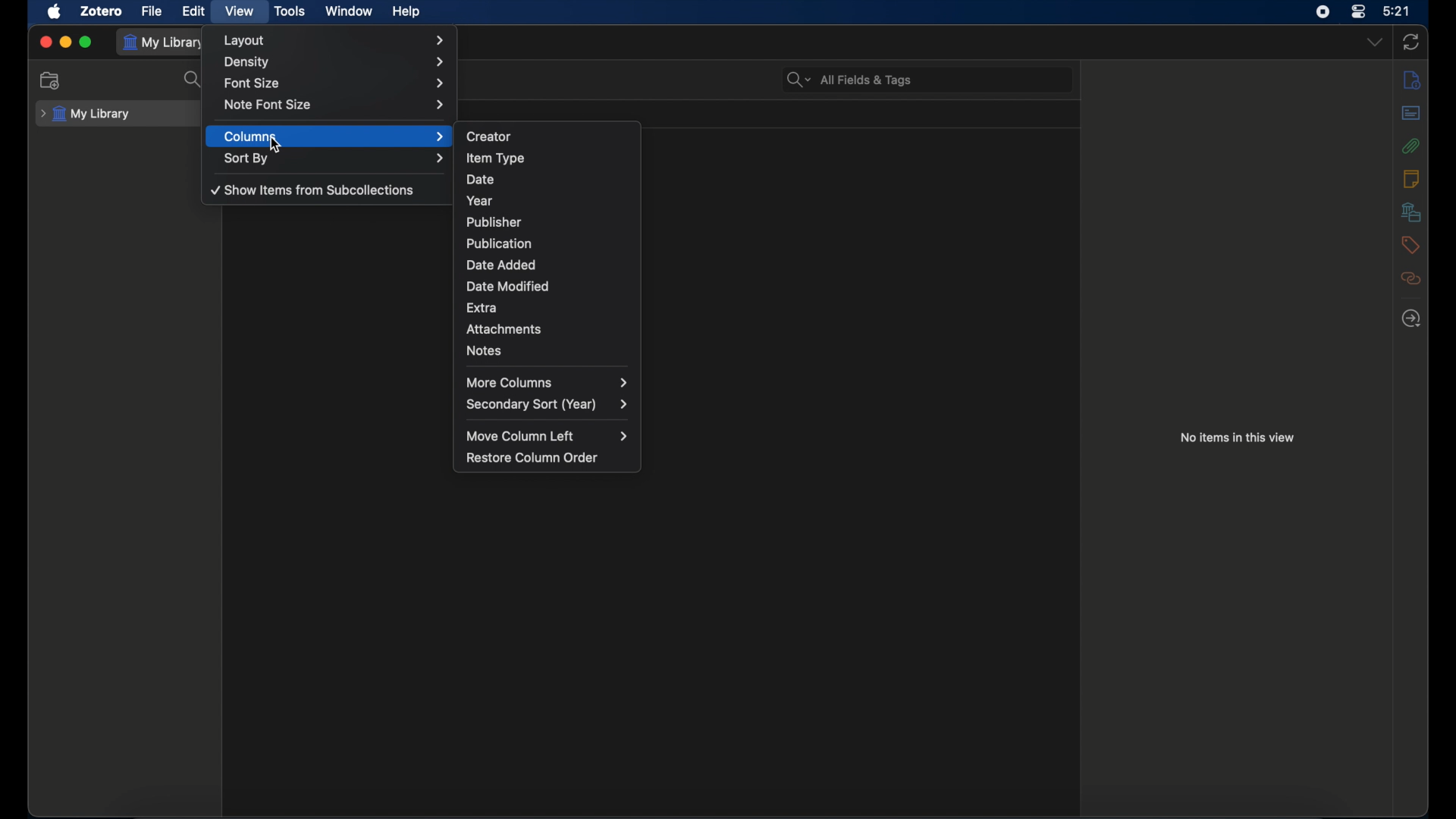  I want to click on edit, so click(195, 12).